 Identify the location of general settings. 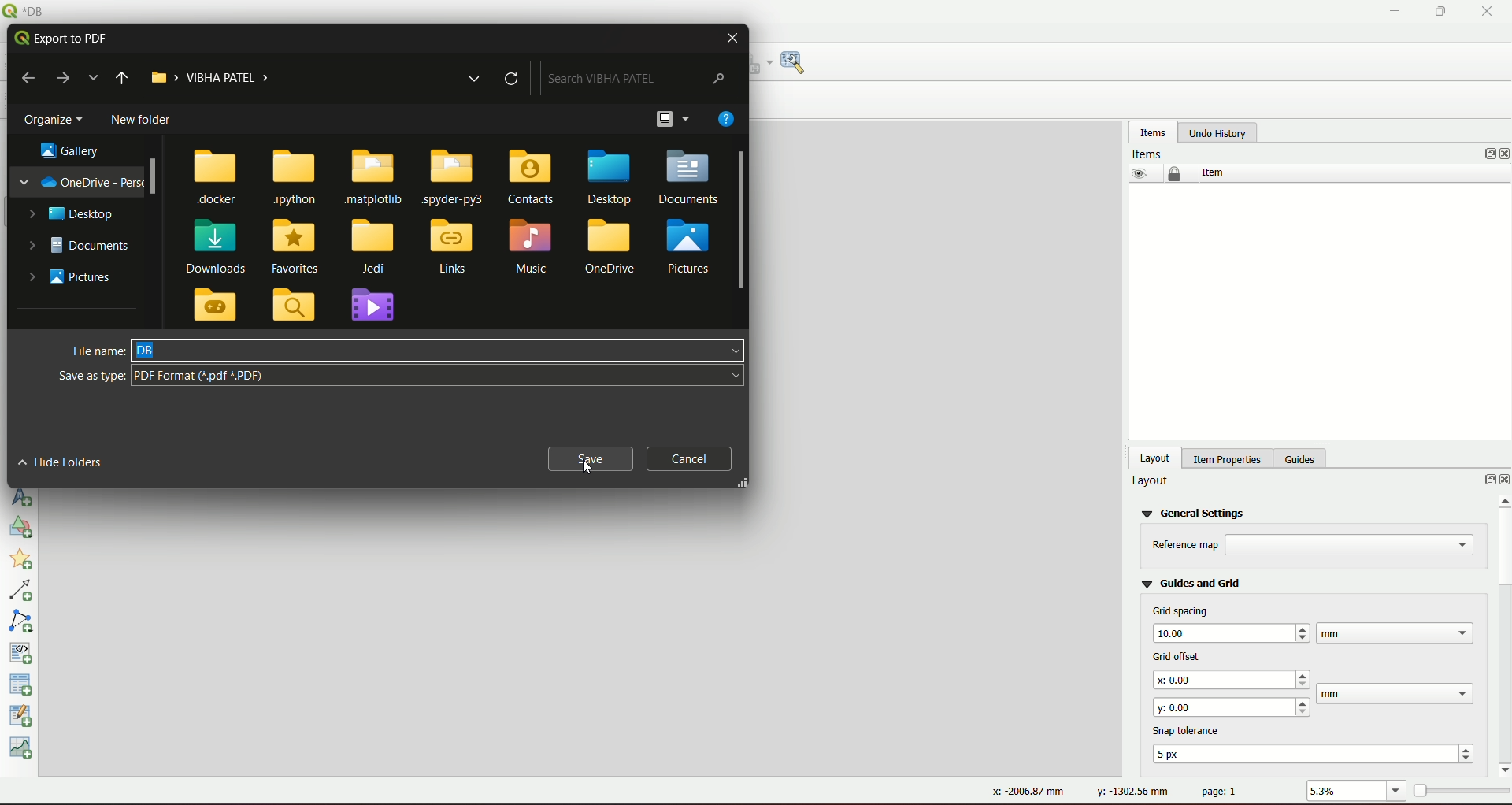
(1196, 512).